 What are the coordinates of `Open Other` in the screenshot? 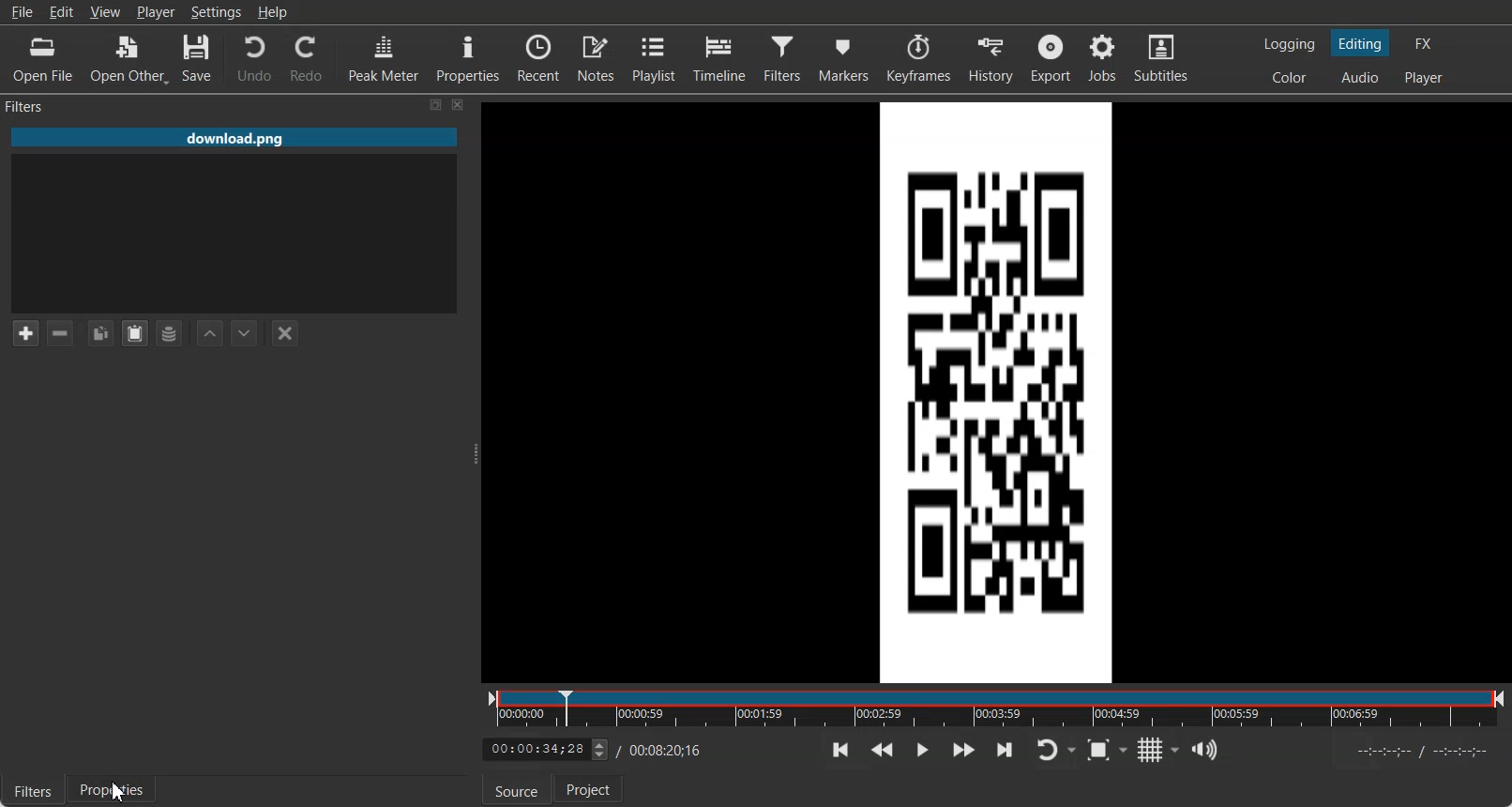 It's located at (128, 58).